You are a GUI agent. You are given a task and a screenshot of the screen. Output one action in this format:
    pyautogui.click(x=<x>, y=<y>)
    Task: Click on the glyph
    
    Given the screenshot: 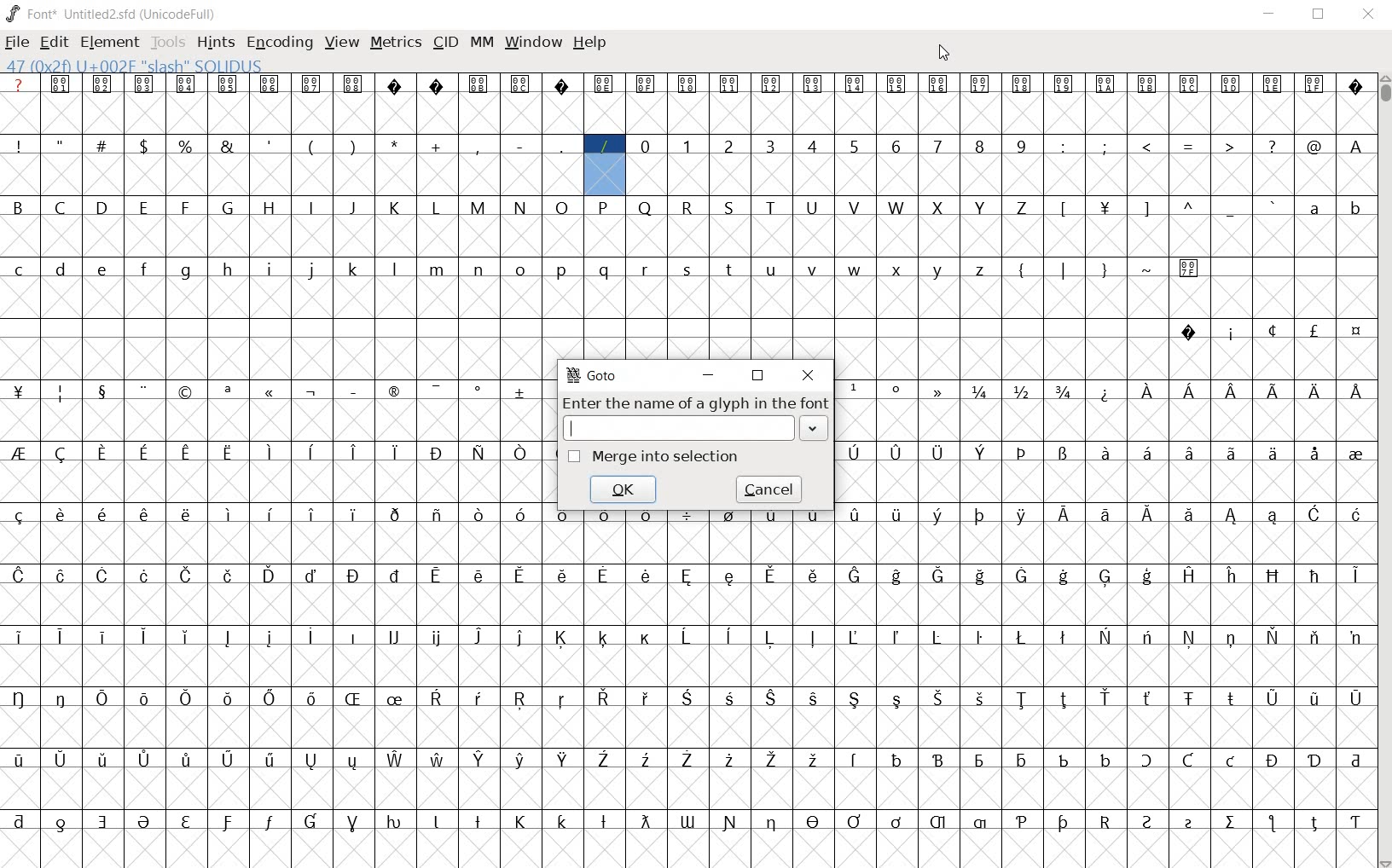 What is the action you would take?
    pyautogui.click(x=270, y=760)
    